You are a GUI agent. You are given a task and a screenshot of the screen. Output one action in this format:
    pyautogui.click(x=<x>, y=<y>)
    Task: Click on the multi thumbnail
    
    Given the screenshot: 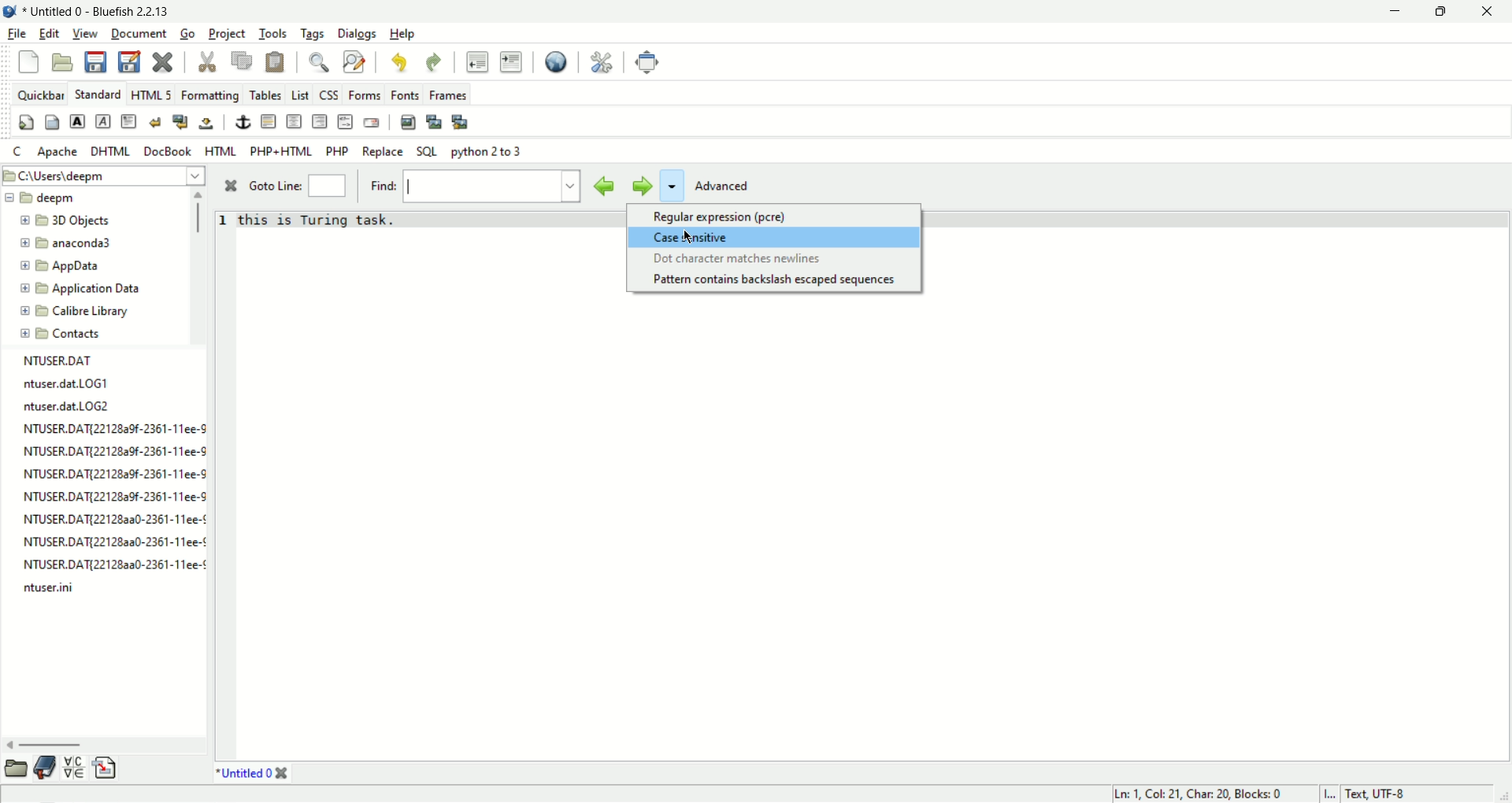 What is the action you would take?
    pyautogui.click(x=461, y=123)
    